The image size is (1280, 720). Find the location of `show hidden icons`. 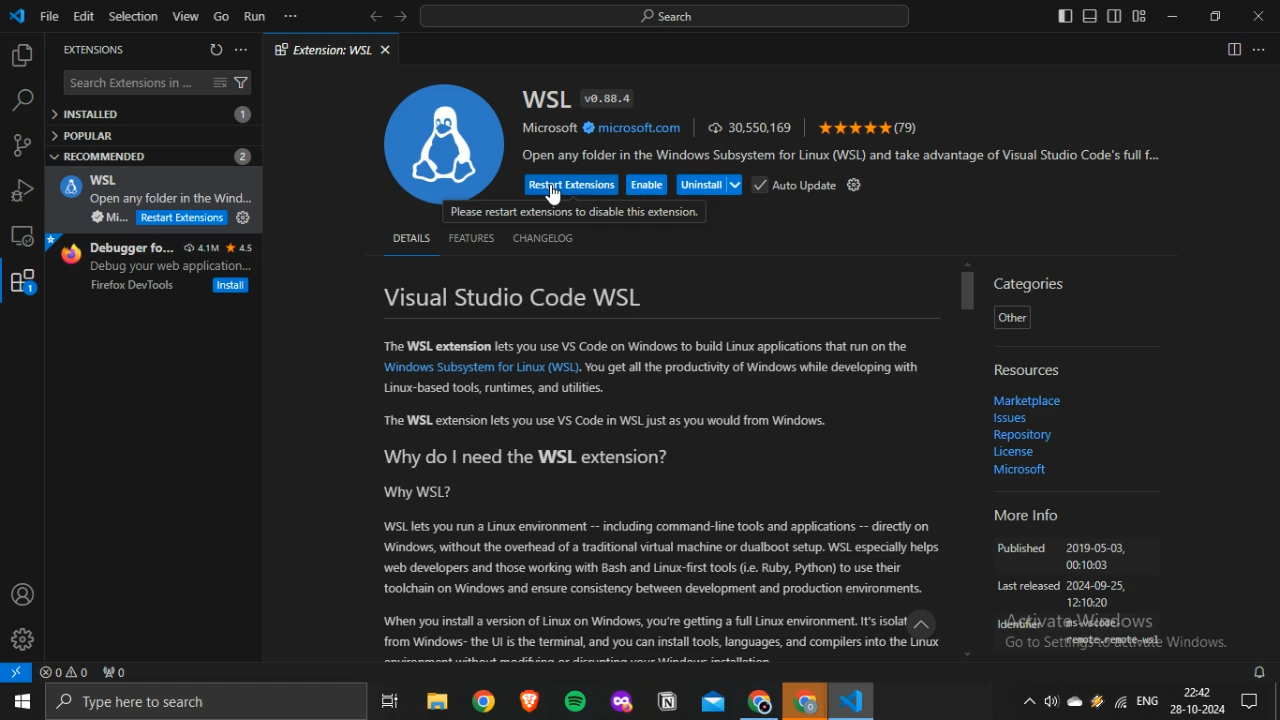

show hidden icons is located at coordinates (1028, 700).